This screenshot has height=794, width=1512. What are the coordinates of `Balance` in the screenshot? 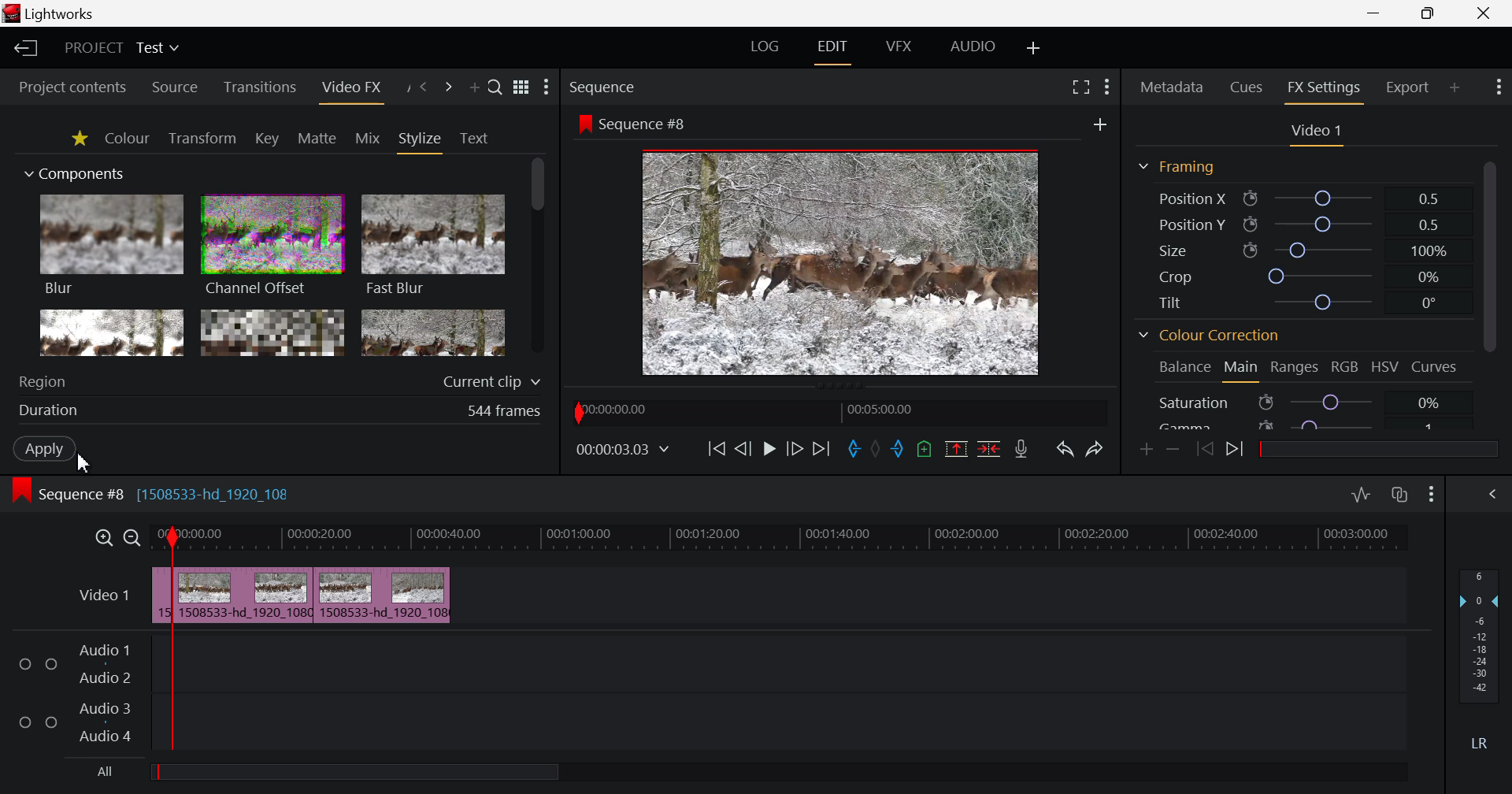 It's located at (1183, 369).